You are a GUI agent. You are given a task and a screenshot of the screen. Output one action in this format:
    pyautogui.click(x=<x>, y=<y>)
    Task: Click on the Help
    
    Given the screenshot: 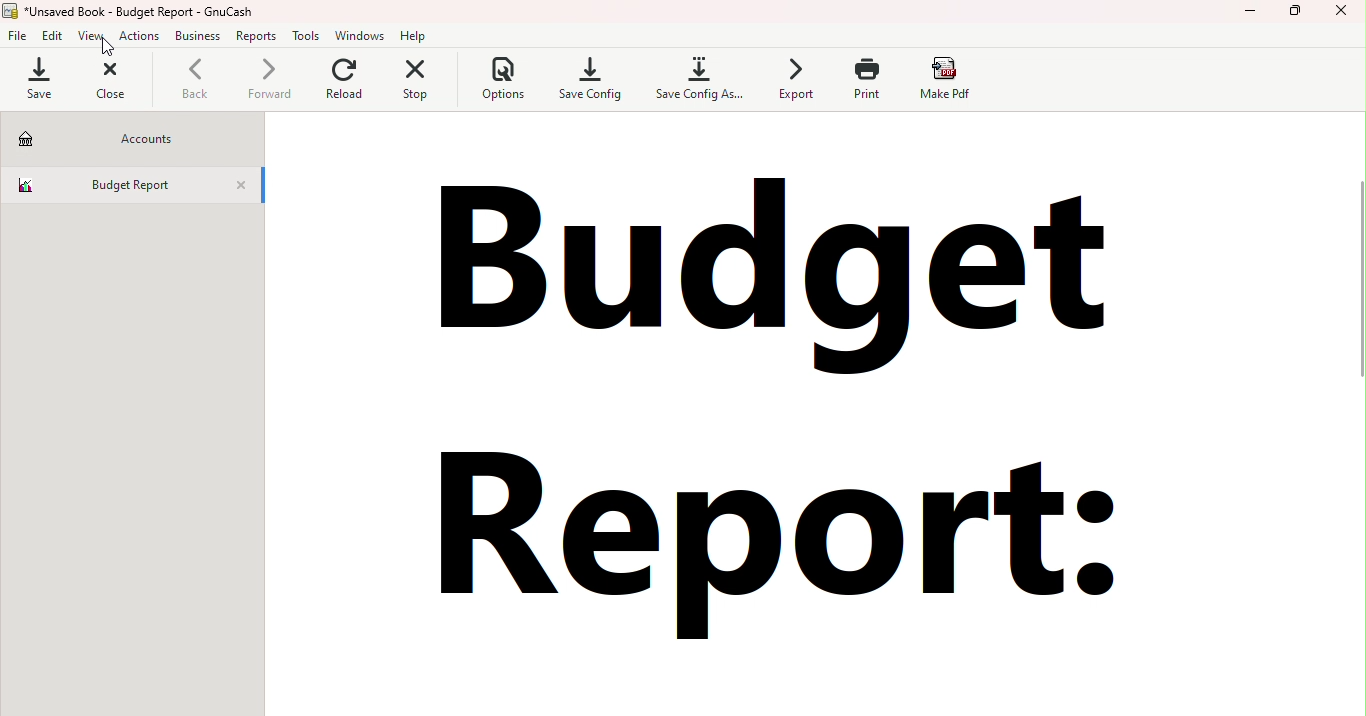 What is the action you would take?
    pyautogui.click(x=416, y=35)
    